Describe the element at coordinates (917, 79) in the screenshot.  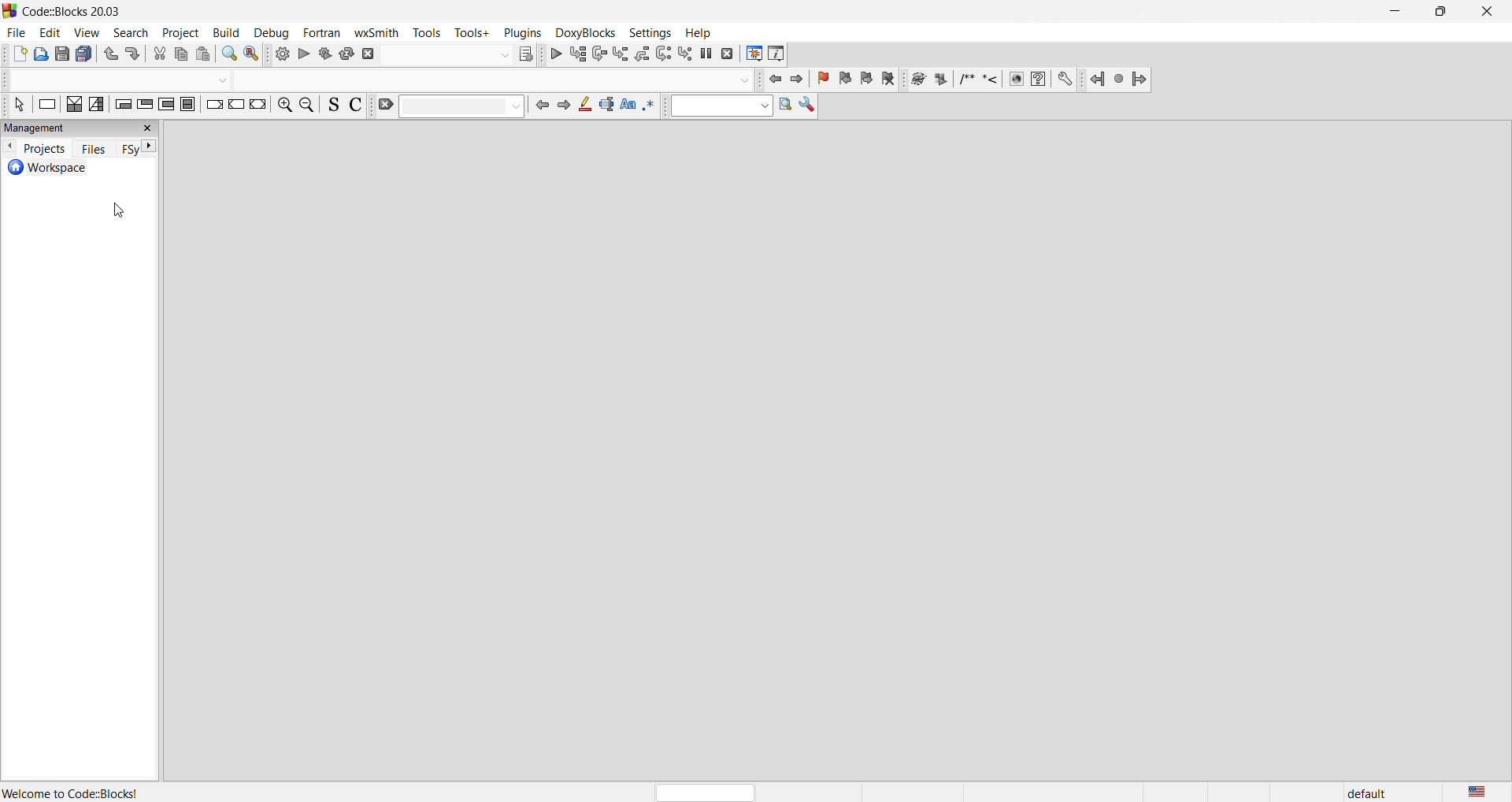
I see `Run doxywizard` at that location.